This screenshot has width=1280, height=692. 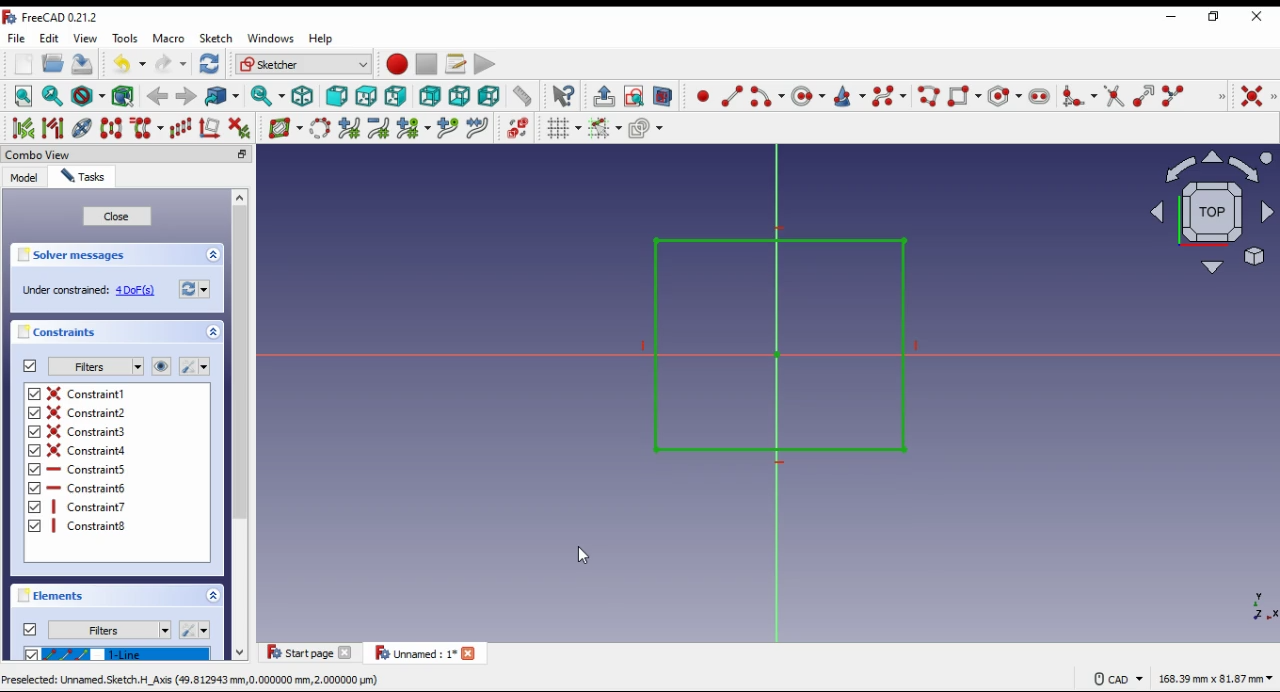 What do you see at coordinates (927, 95) in the screenshot?
I see `create polyline` at bounding box center [927, 95].